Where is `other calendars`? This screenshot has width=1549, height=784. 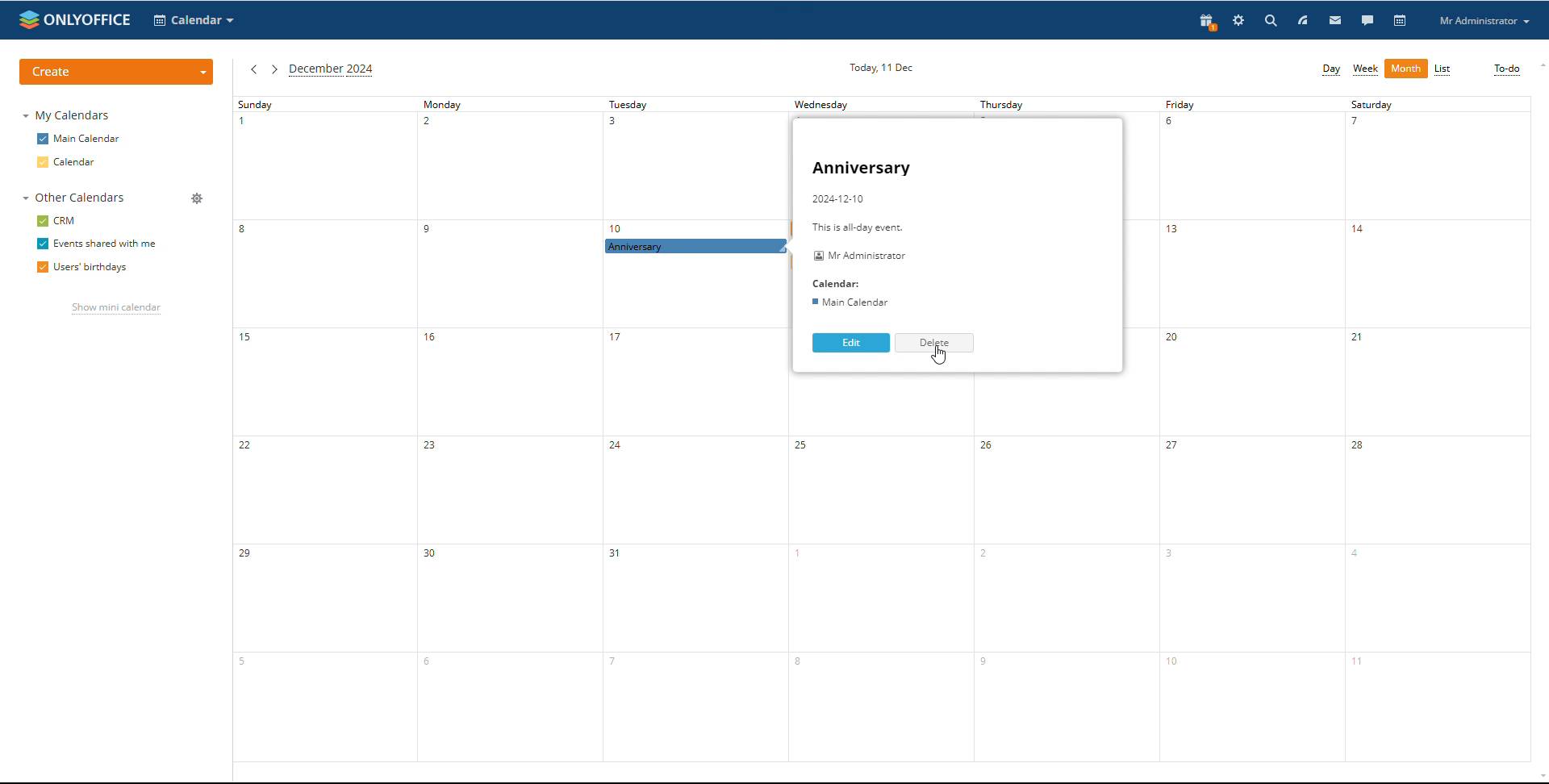
other calendars is located at coordinates (77, 198).